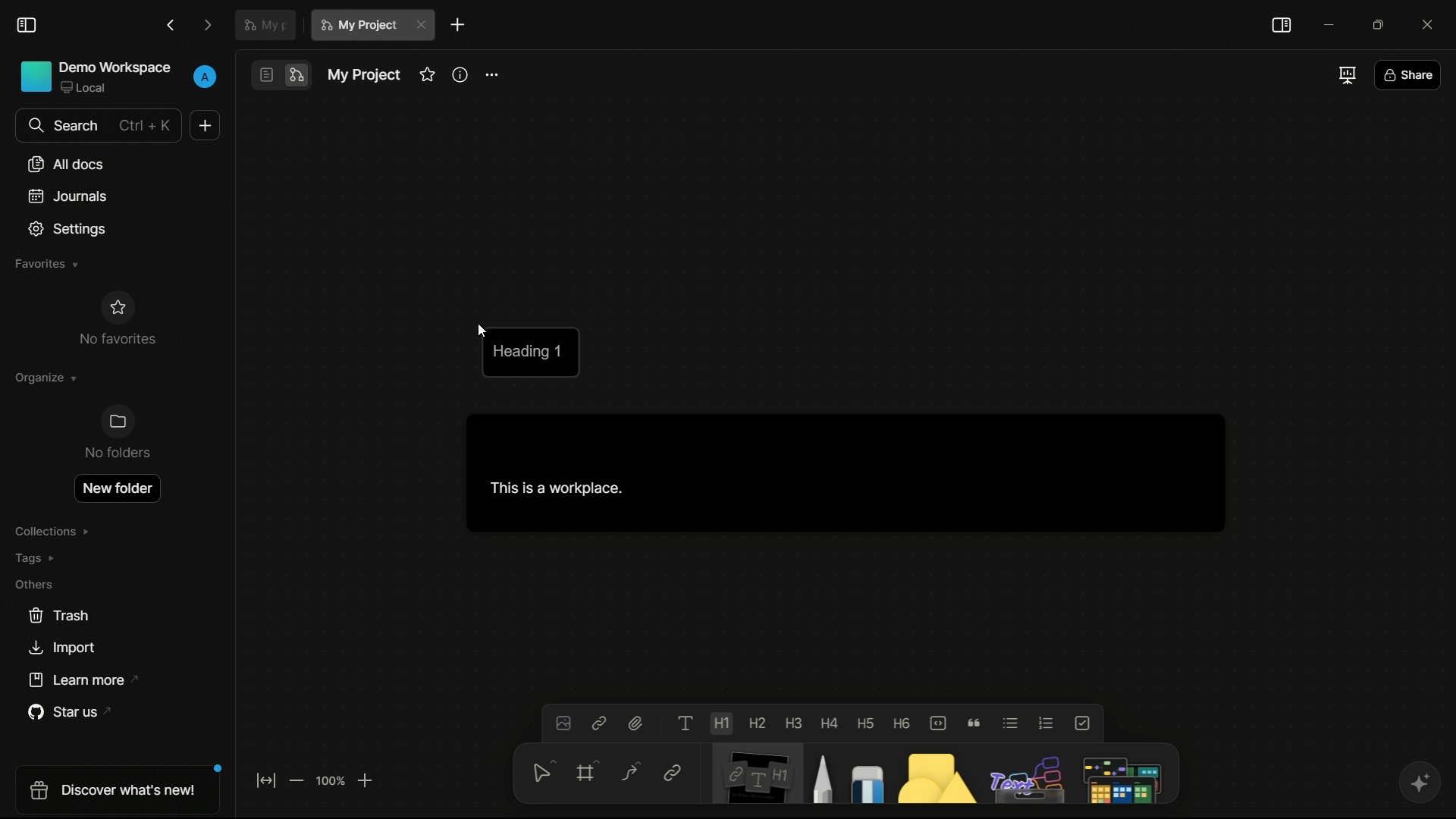 This screenshot has height=819, width=1456. Describe the element at coordinates (77, 681) in the screenshot. I see `learn more` at that location.